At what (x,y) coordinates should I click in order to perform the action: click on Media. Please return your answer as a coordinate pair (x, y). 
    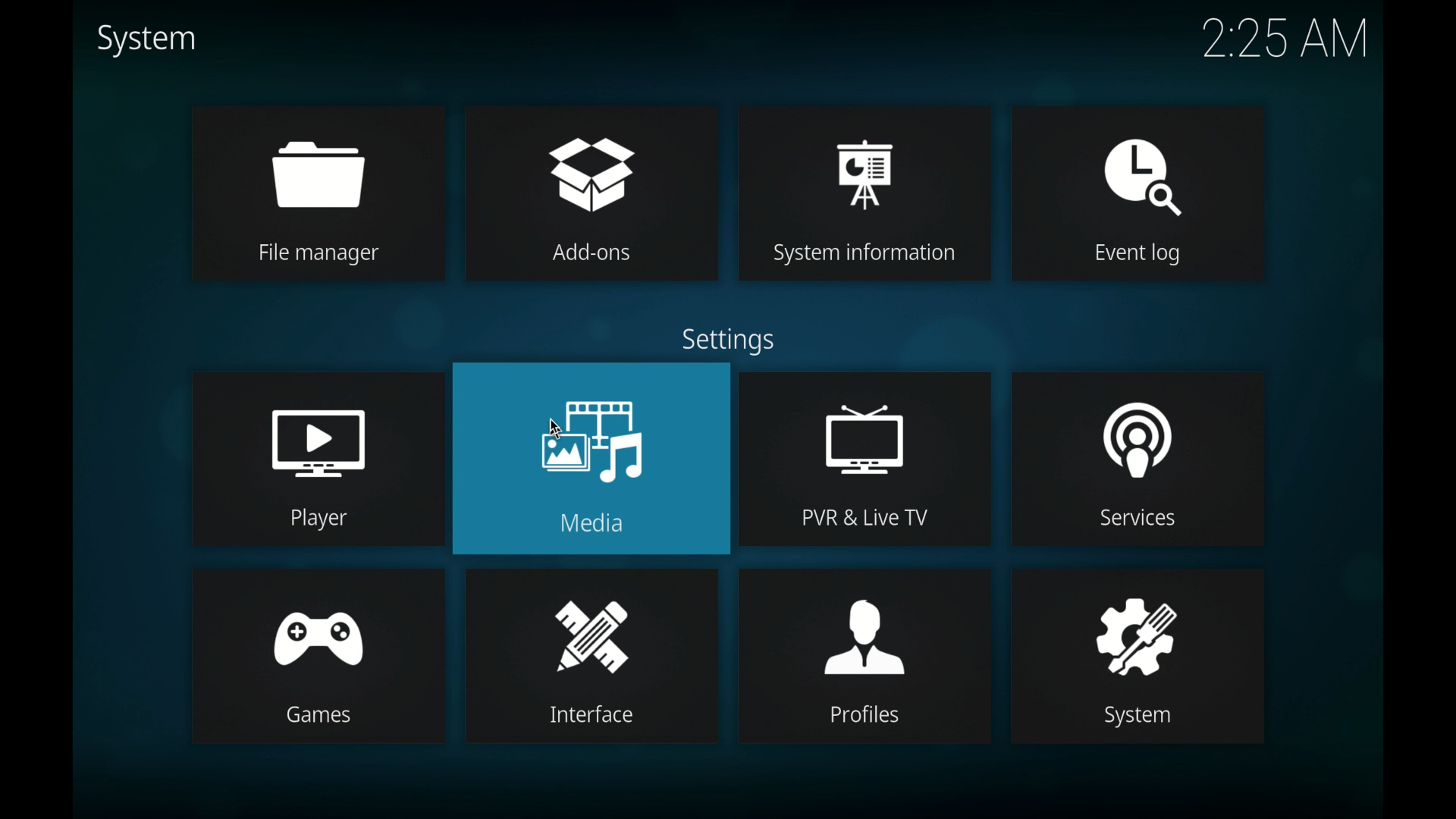
    Looking at the image, I should click on (594, 522).